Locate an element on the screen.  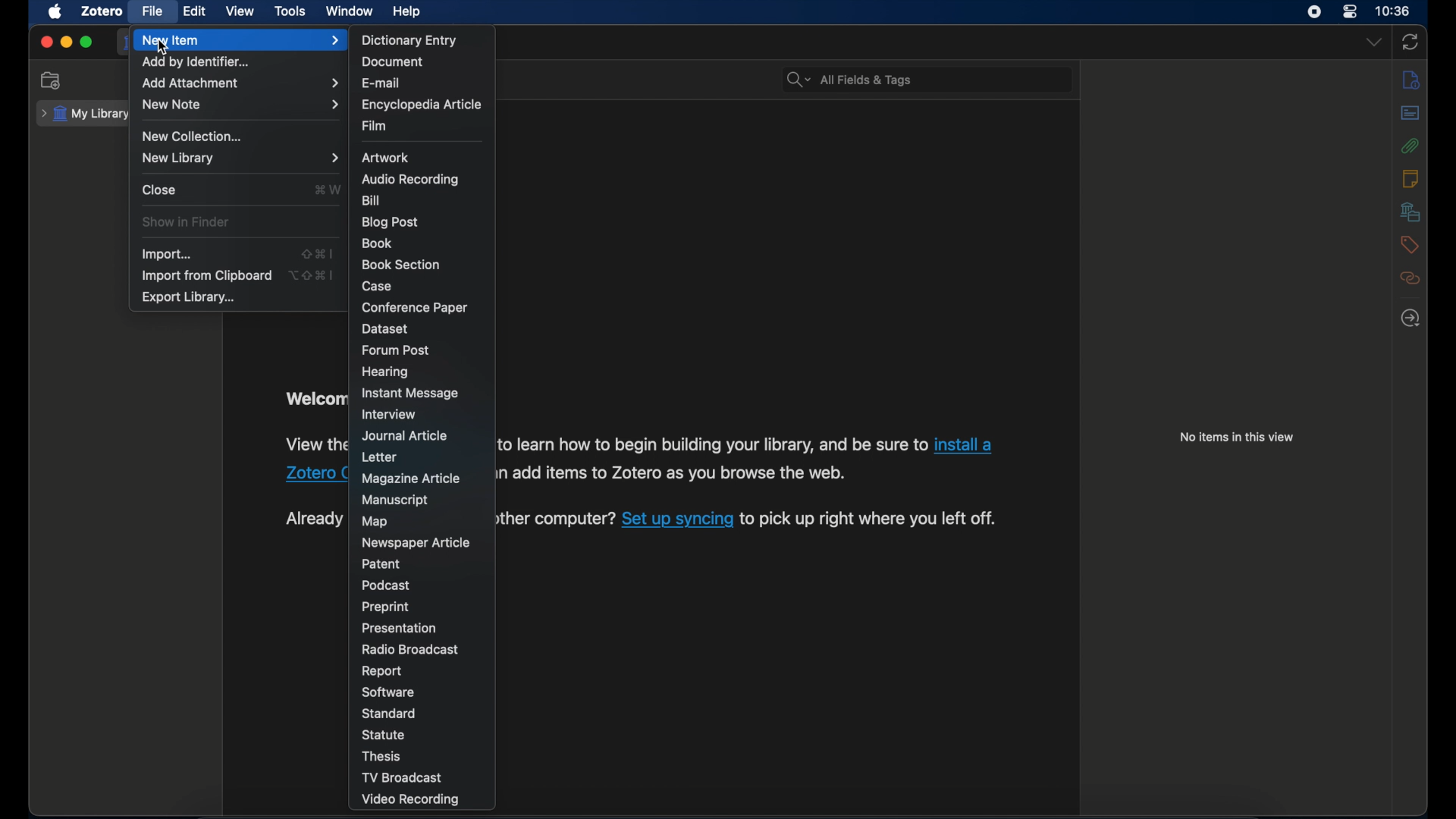
e-mail is located at coordinates (381, 83).